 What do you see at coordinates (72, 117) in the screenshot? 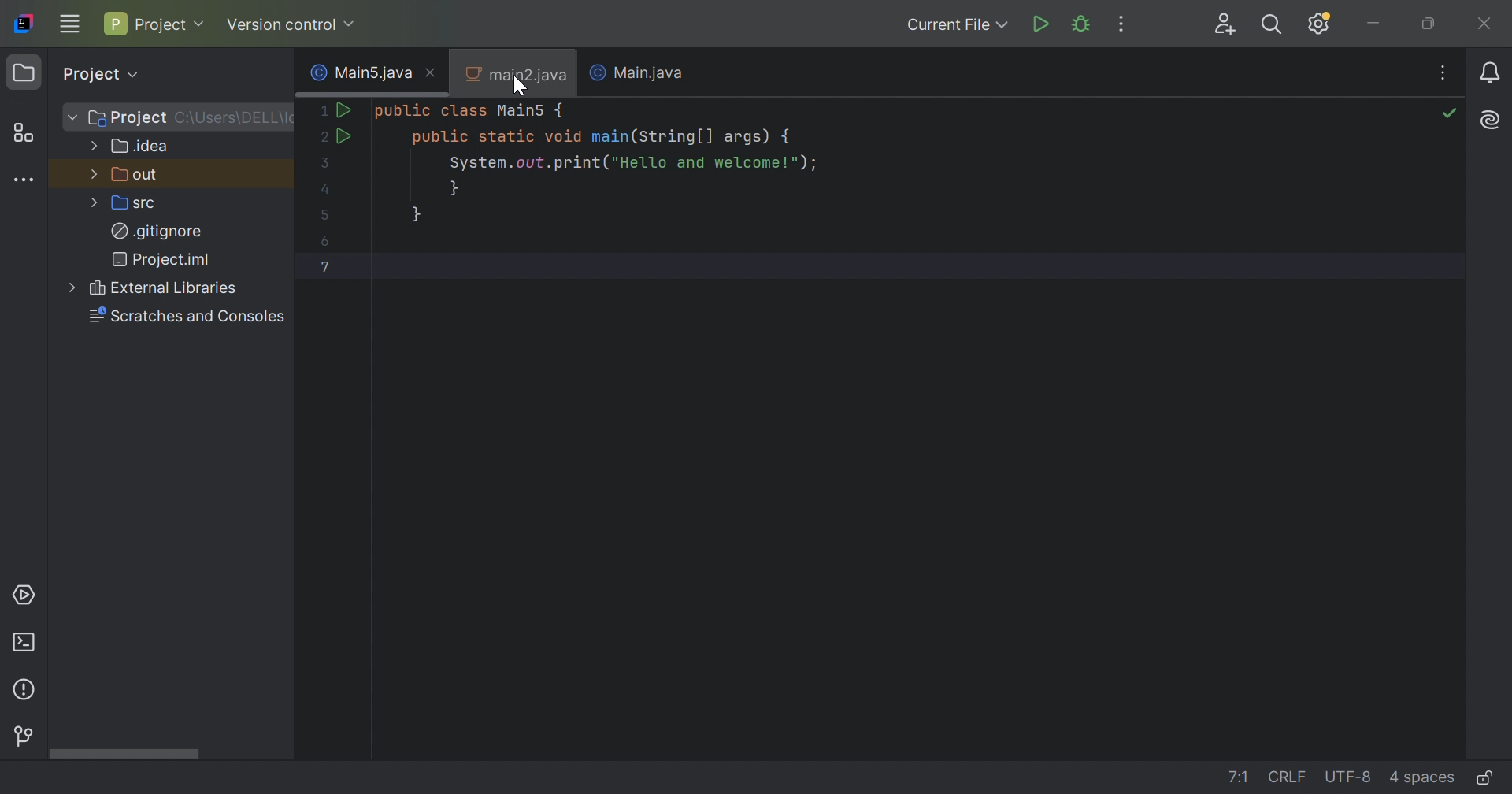
I see `More` at bounding box center [72, 117].